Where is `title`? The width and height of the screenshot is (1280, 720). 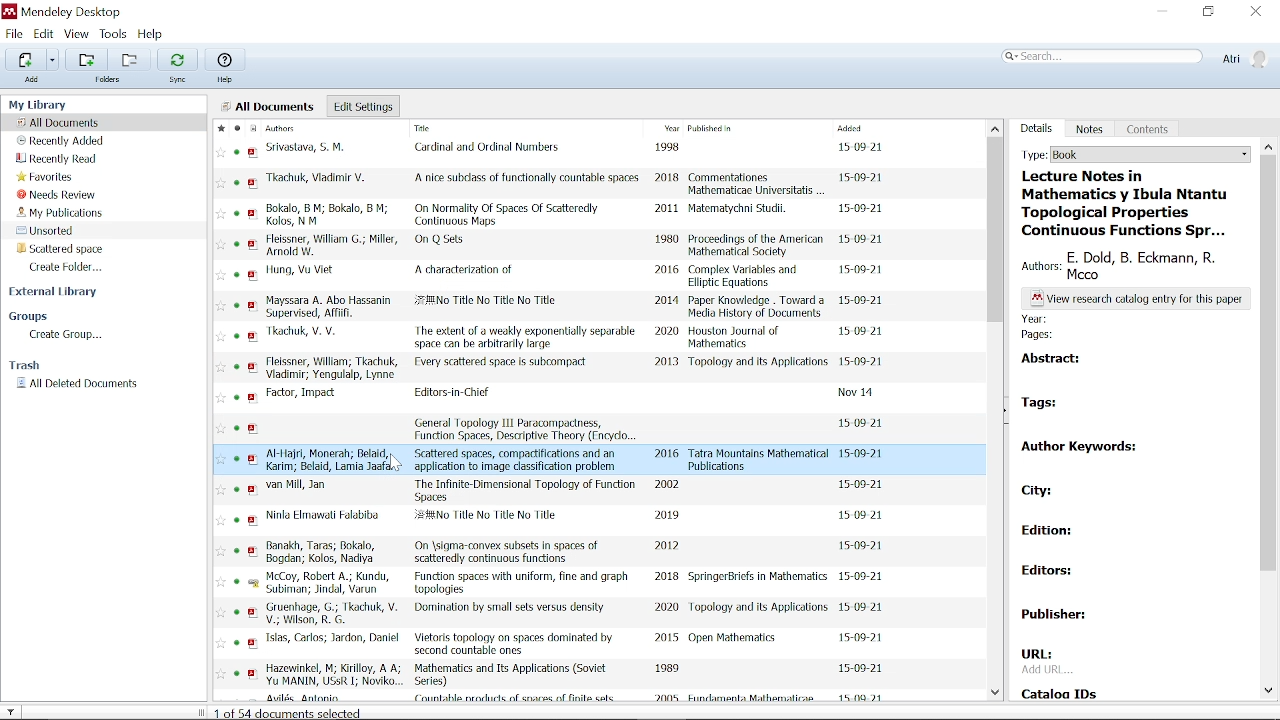
title is located at coordinates (519, 459).